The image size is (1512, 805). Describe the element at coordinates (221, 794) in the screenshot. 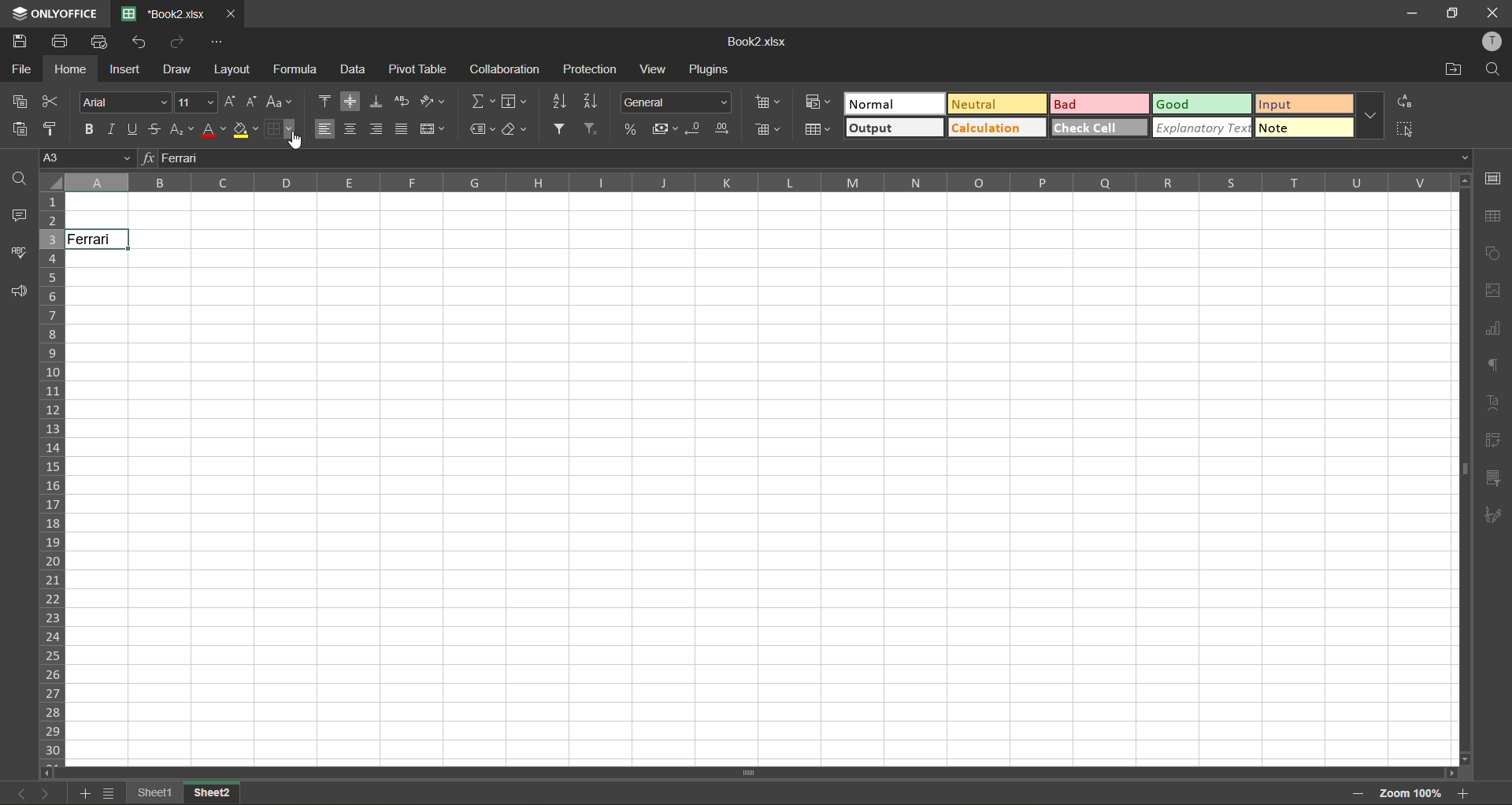

I see `Sheet 2` at that location.